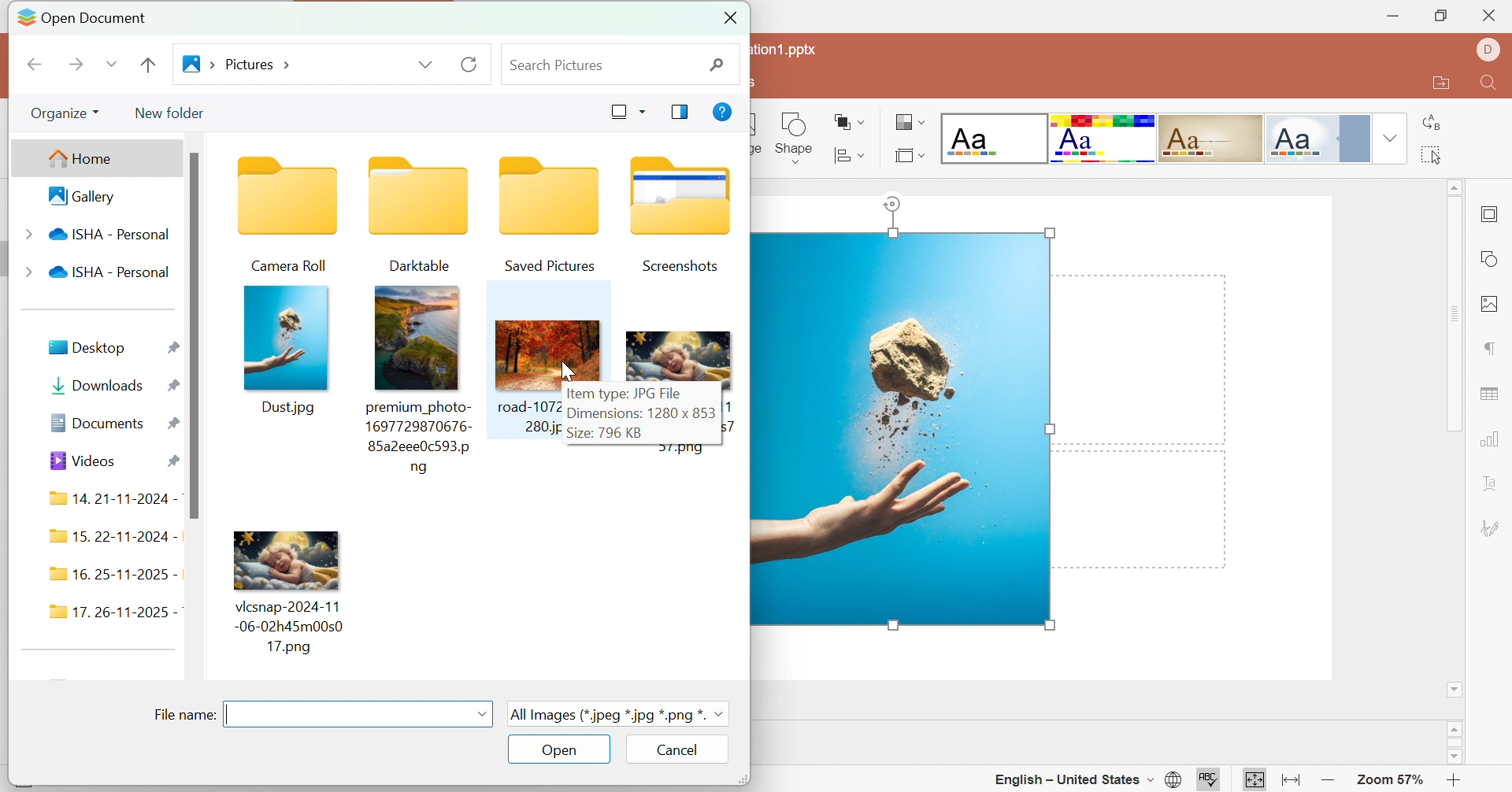 The image size is (1512, 792). What do you see at coordinates (26, 232) in the screenshot?
I see `Drop Down` at bounding box center [26, 232].